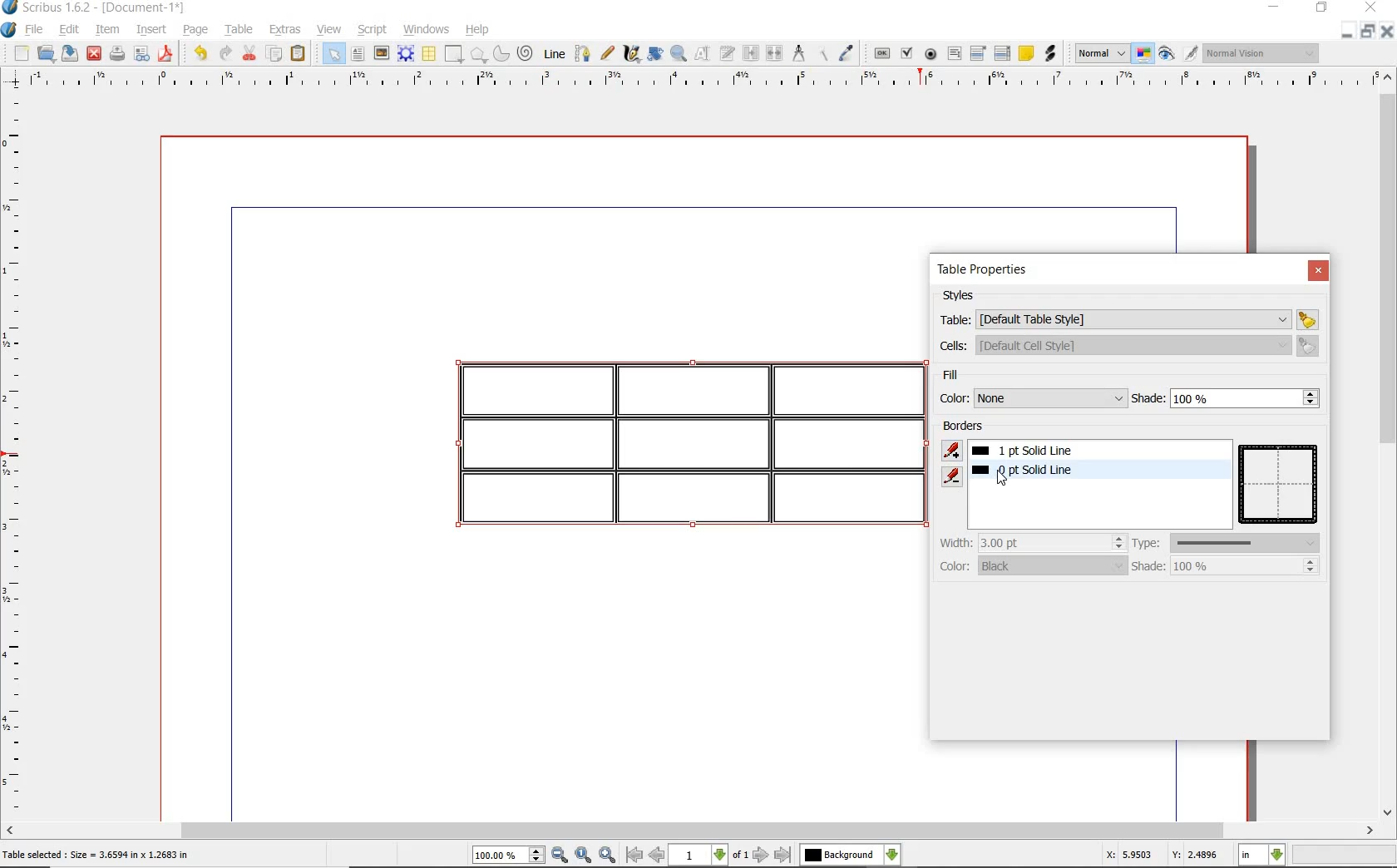 The width and height of the screenshot is (1397, 868). I want to click on new, so click(20, 53).